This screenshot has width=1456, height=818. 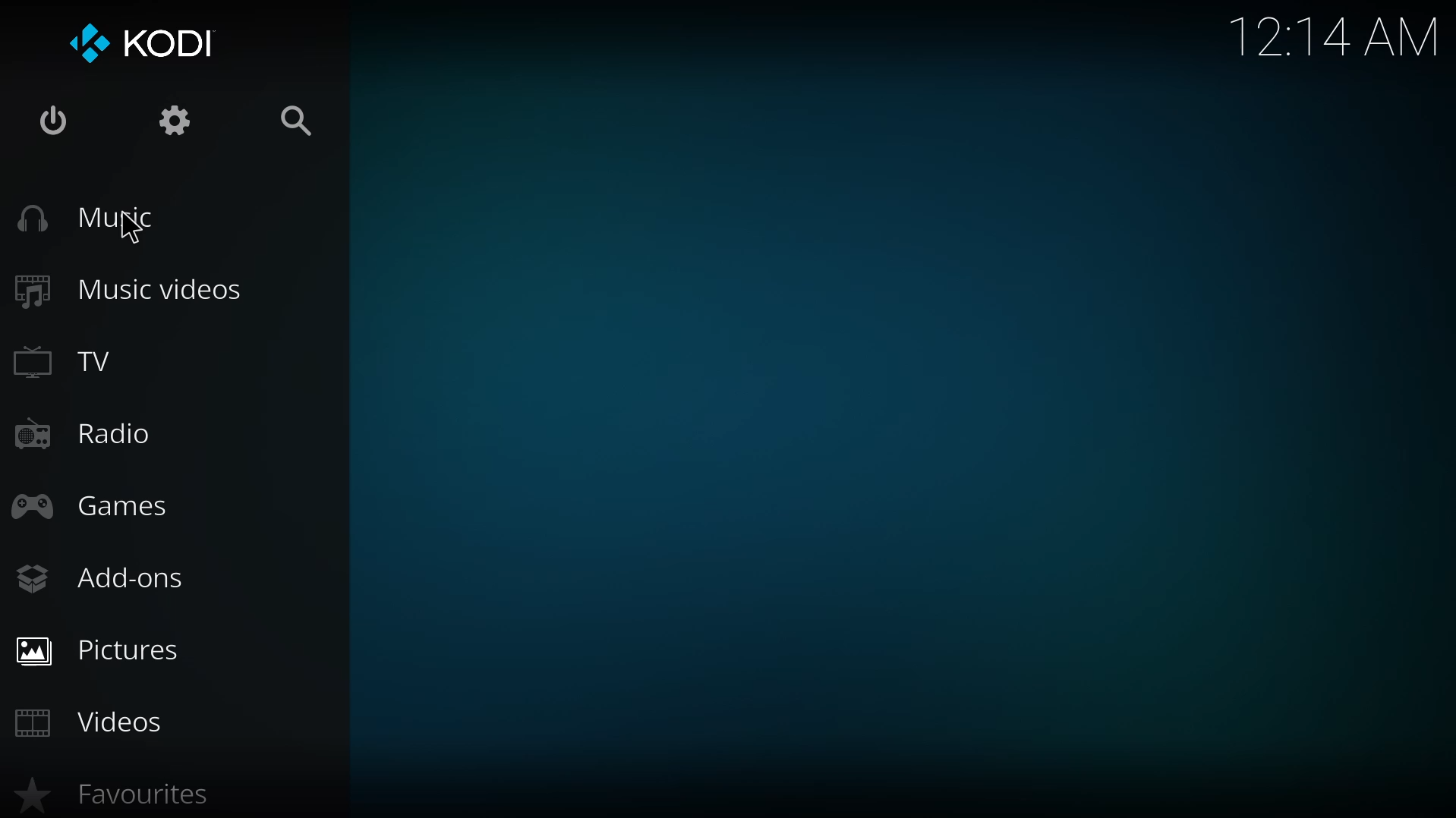 What do you see at coordinates (84, 435) in the screenshot?
I see `radio` at bounding box center [84, 435].